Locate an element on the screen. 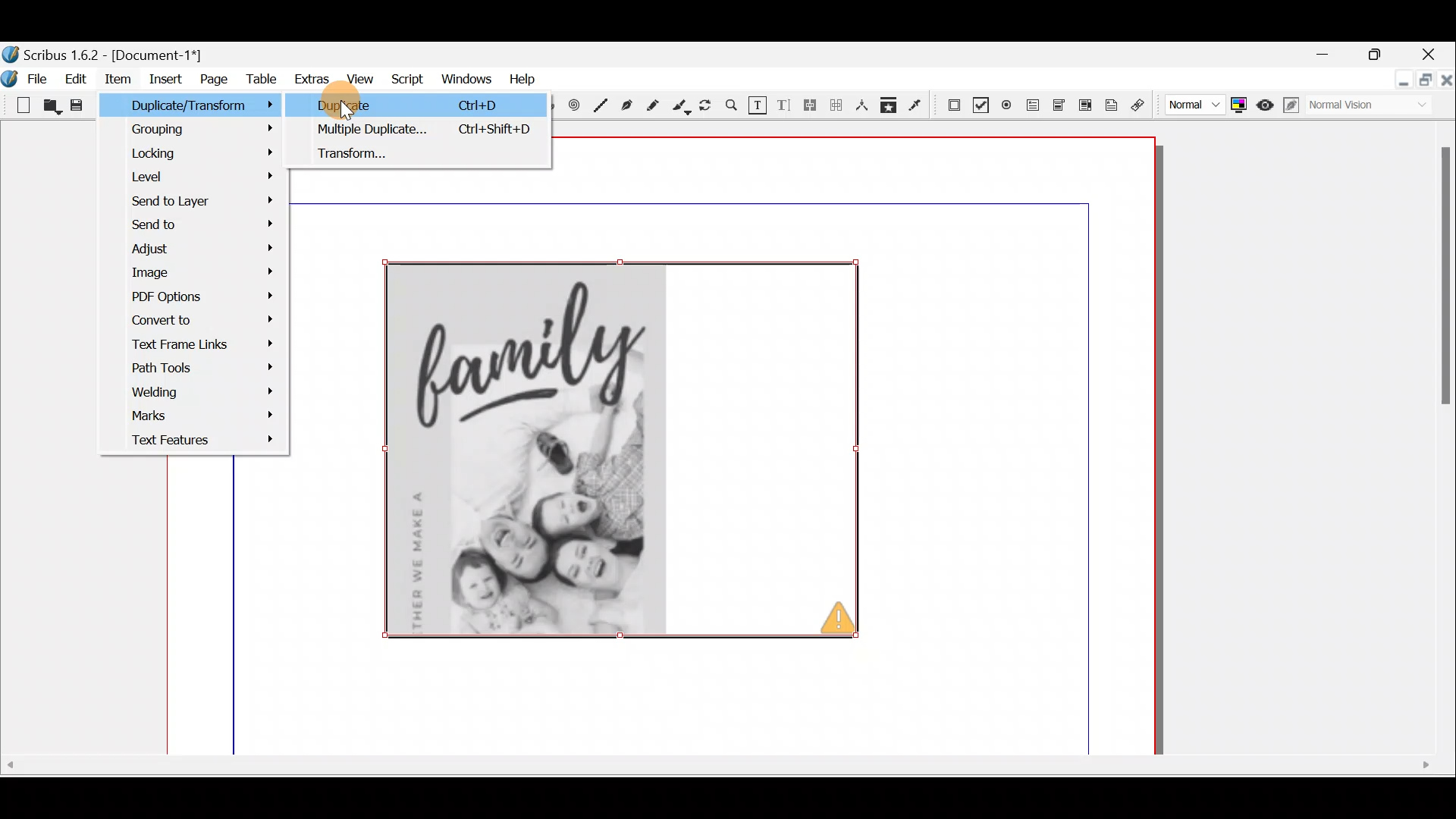 The width and height of the screenshot is (1456, 819). Cursor is located at coordinates (349, 110).